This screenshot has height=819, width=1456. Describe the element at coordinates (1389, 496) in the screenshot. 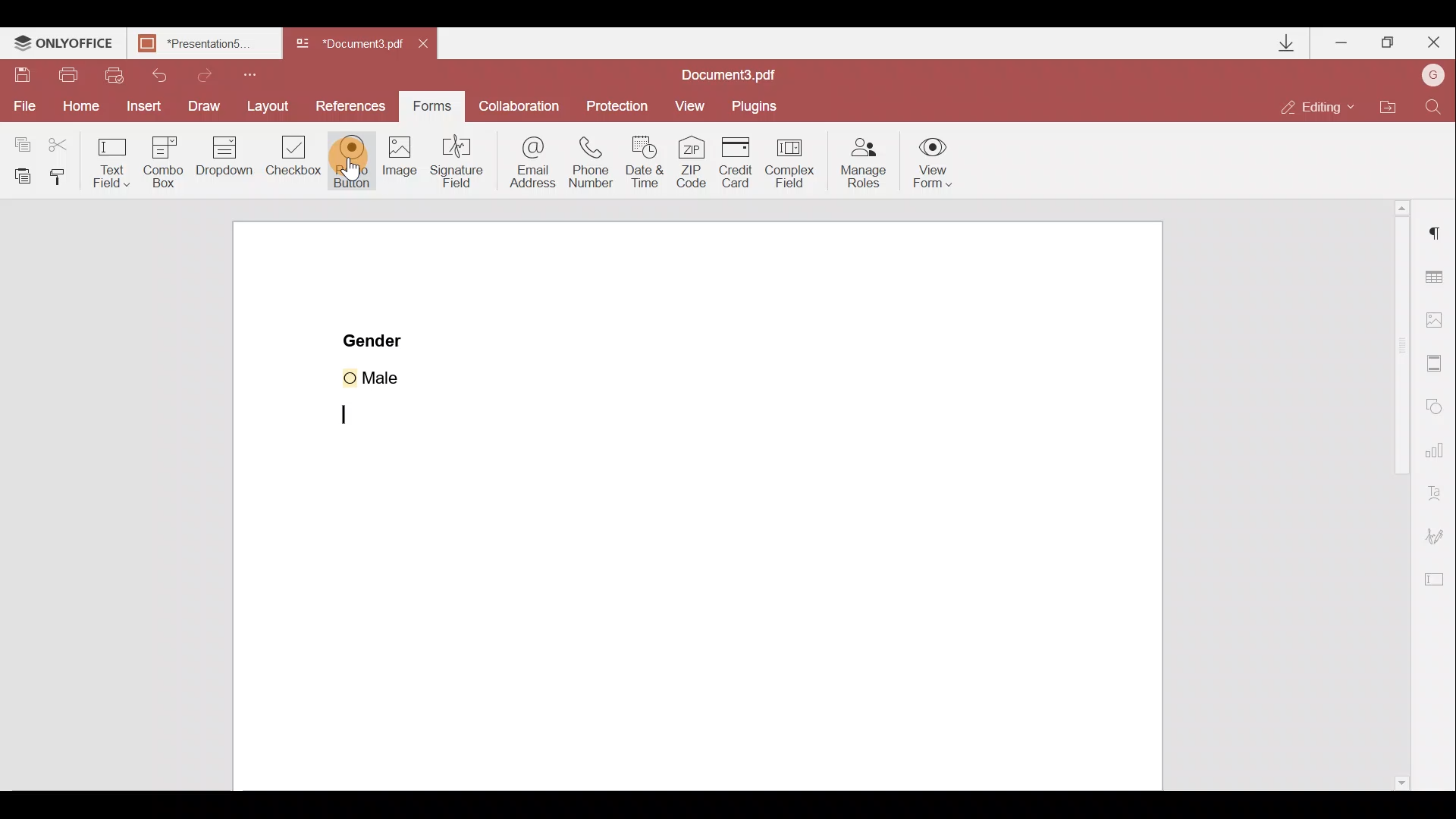

I see `Scroll bar` at that location.